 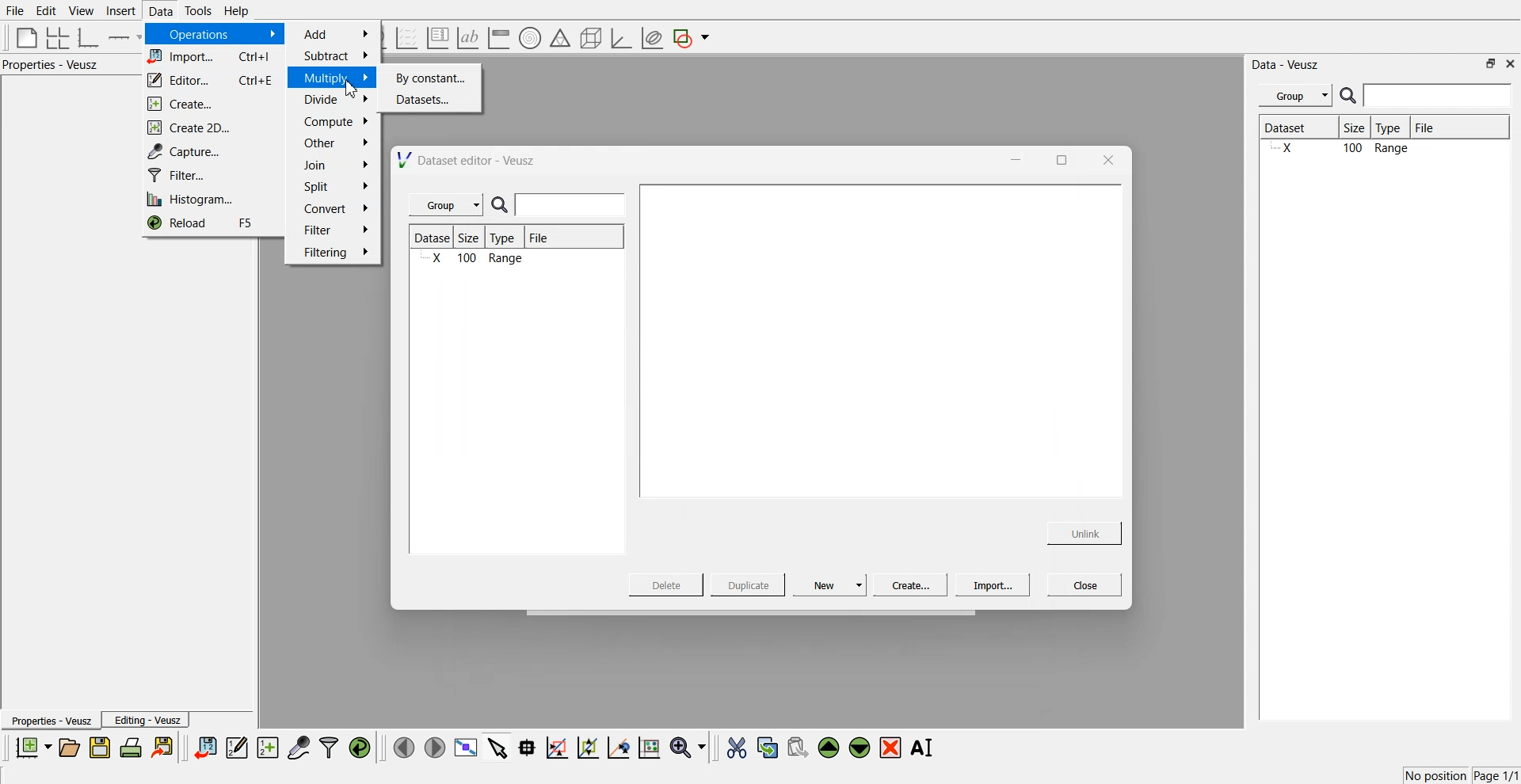 What do you see at coordinates (1057, 158) in the screenshot?
I see `maximise` at bounding box center [1057, 158].